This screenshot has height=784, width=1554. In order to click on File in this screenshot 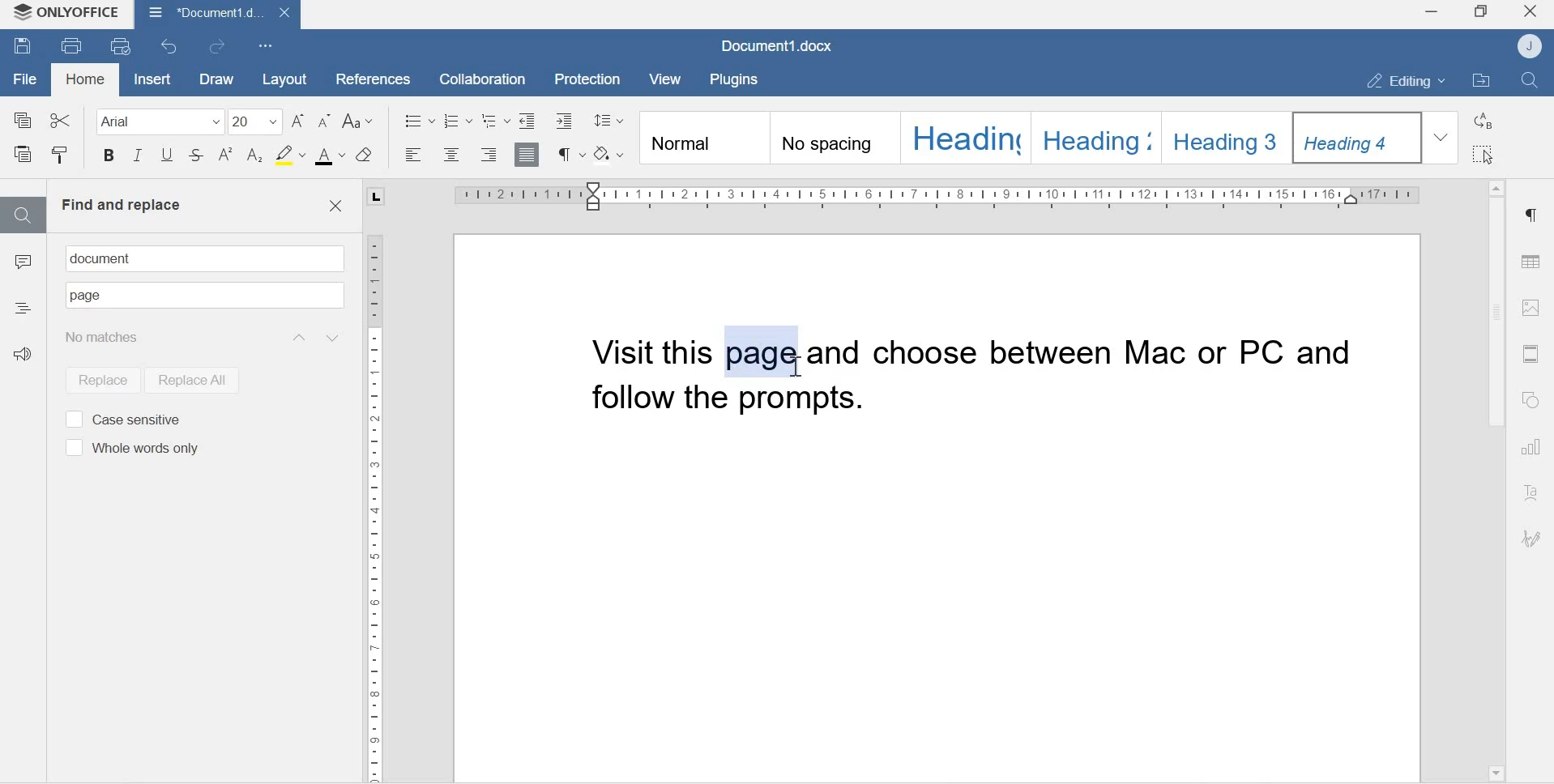, I will do `click(25, 79)`.